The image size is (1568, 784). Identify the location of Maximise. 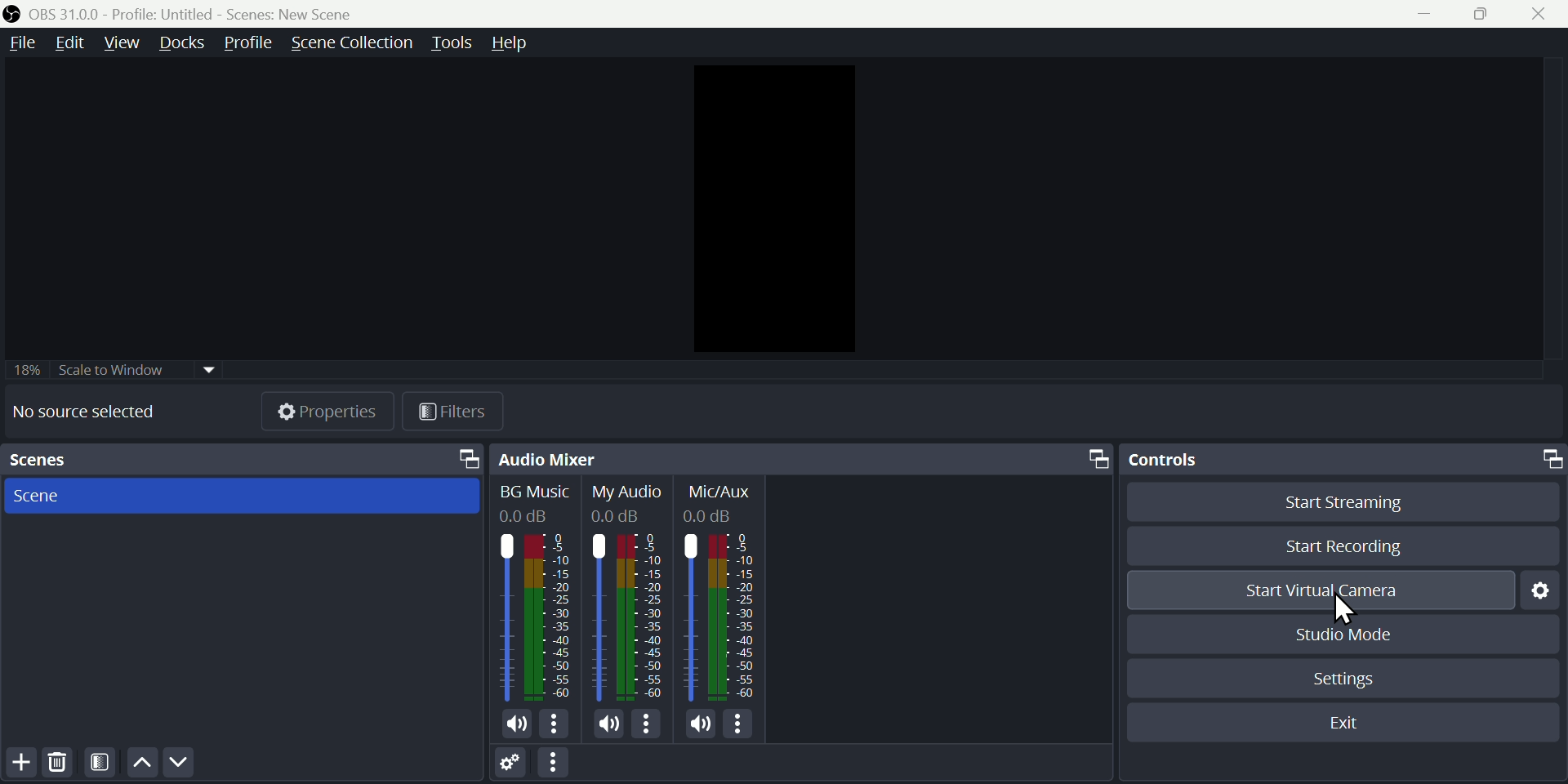
(1477, 16).